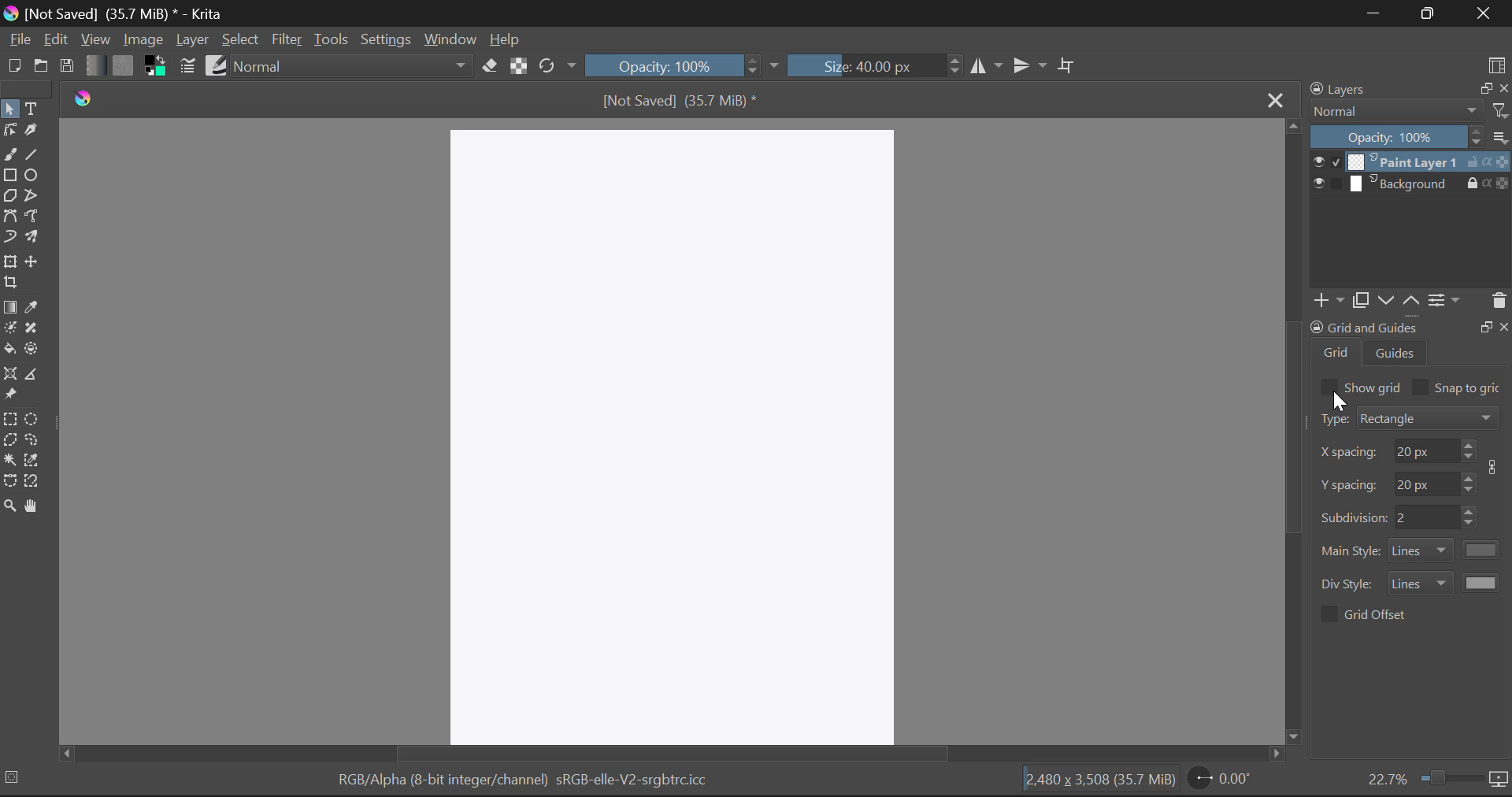 This screenshot has width=1512, height=797. Describe the element at coordinates (490, 66) in the screenshot. I see `Eraser` at that location.